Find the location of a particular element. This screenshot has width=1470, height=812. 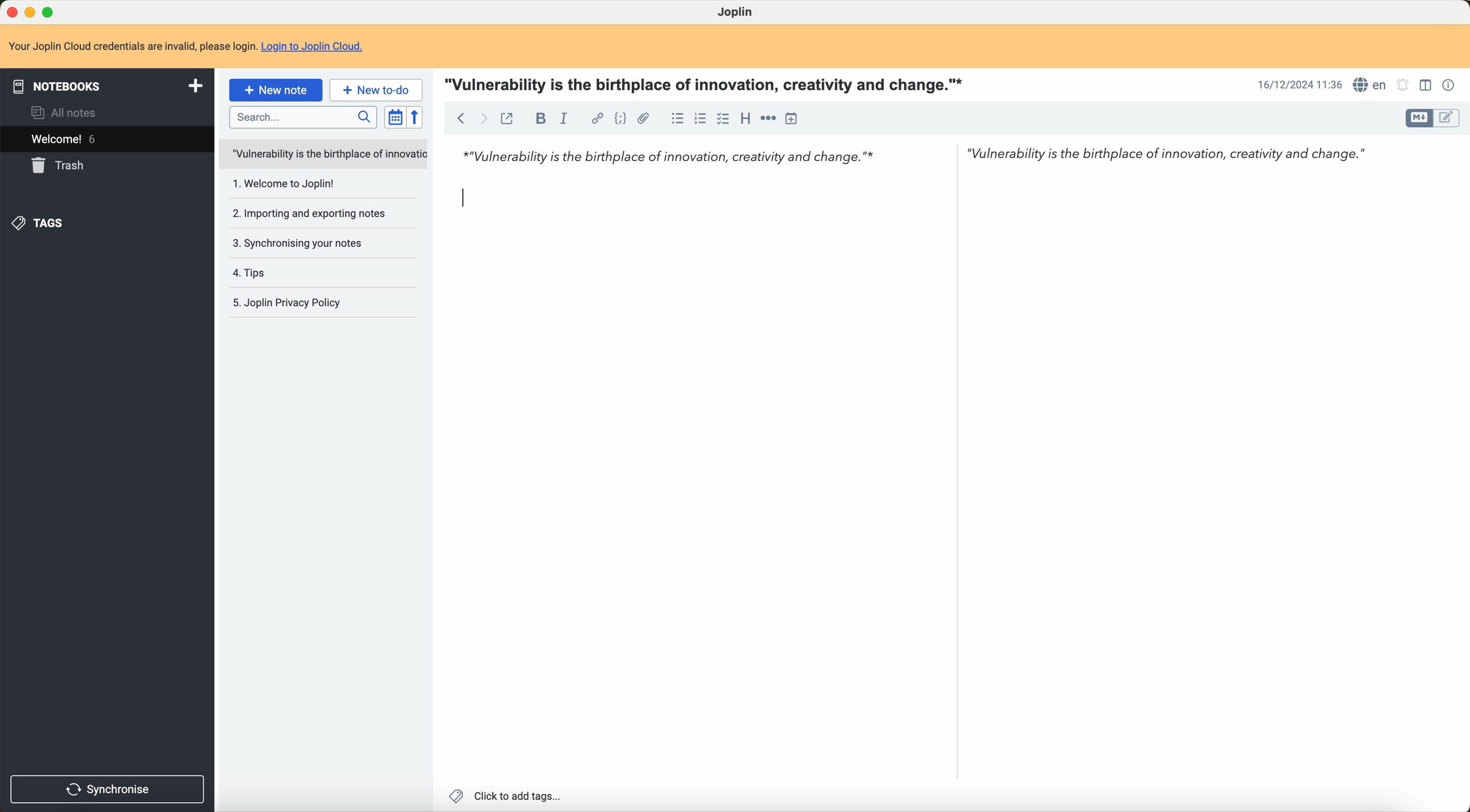

insert time is located at coordinates (797, 118).